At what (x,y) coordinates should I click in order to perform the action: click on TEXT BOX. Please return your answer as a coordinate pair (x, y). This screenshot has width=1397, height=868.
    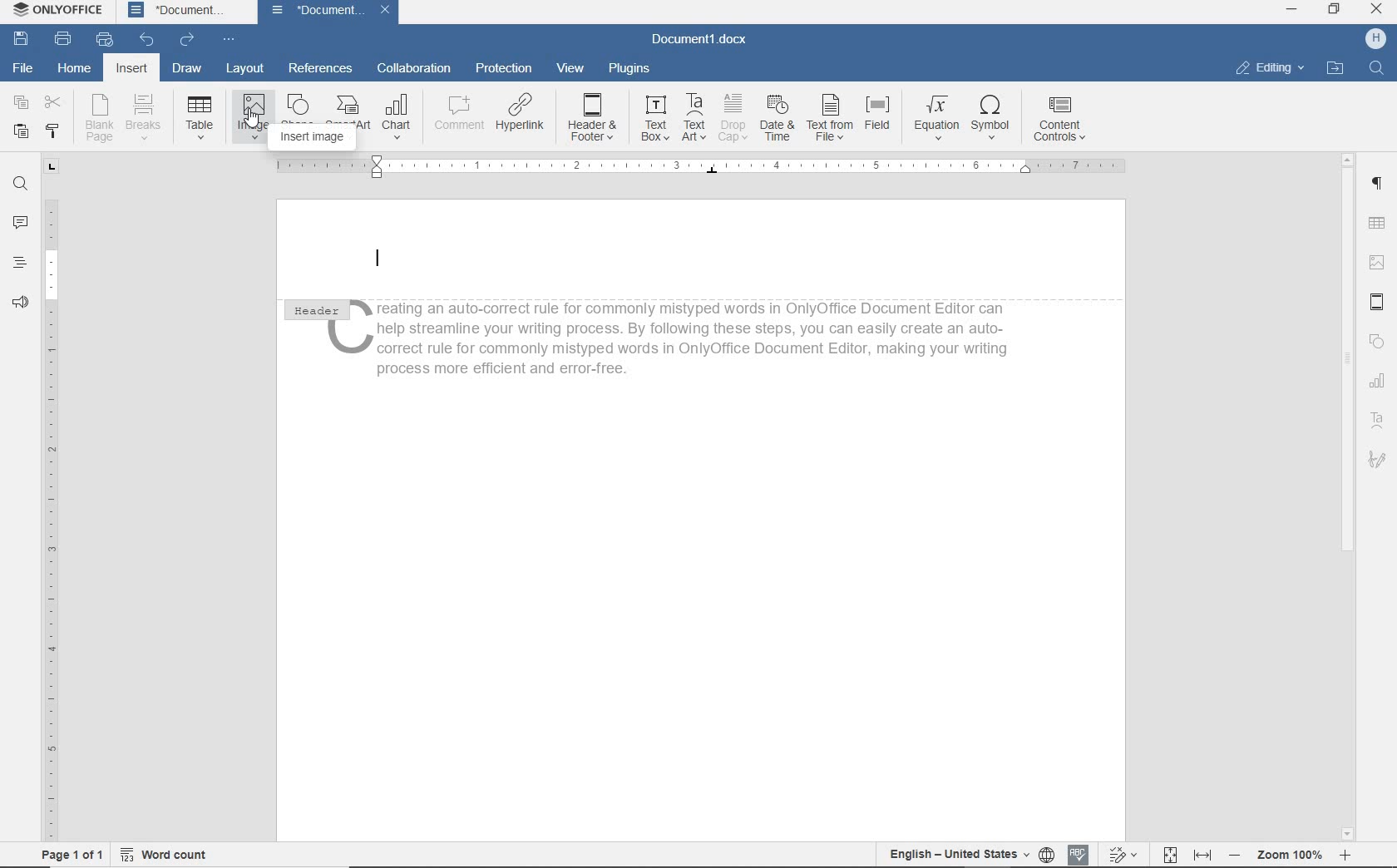
    Looking at the image, I should click on (654, 121).